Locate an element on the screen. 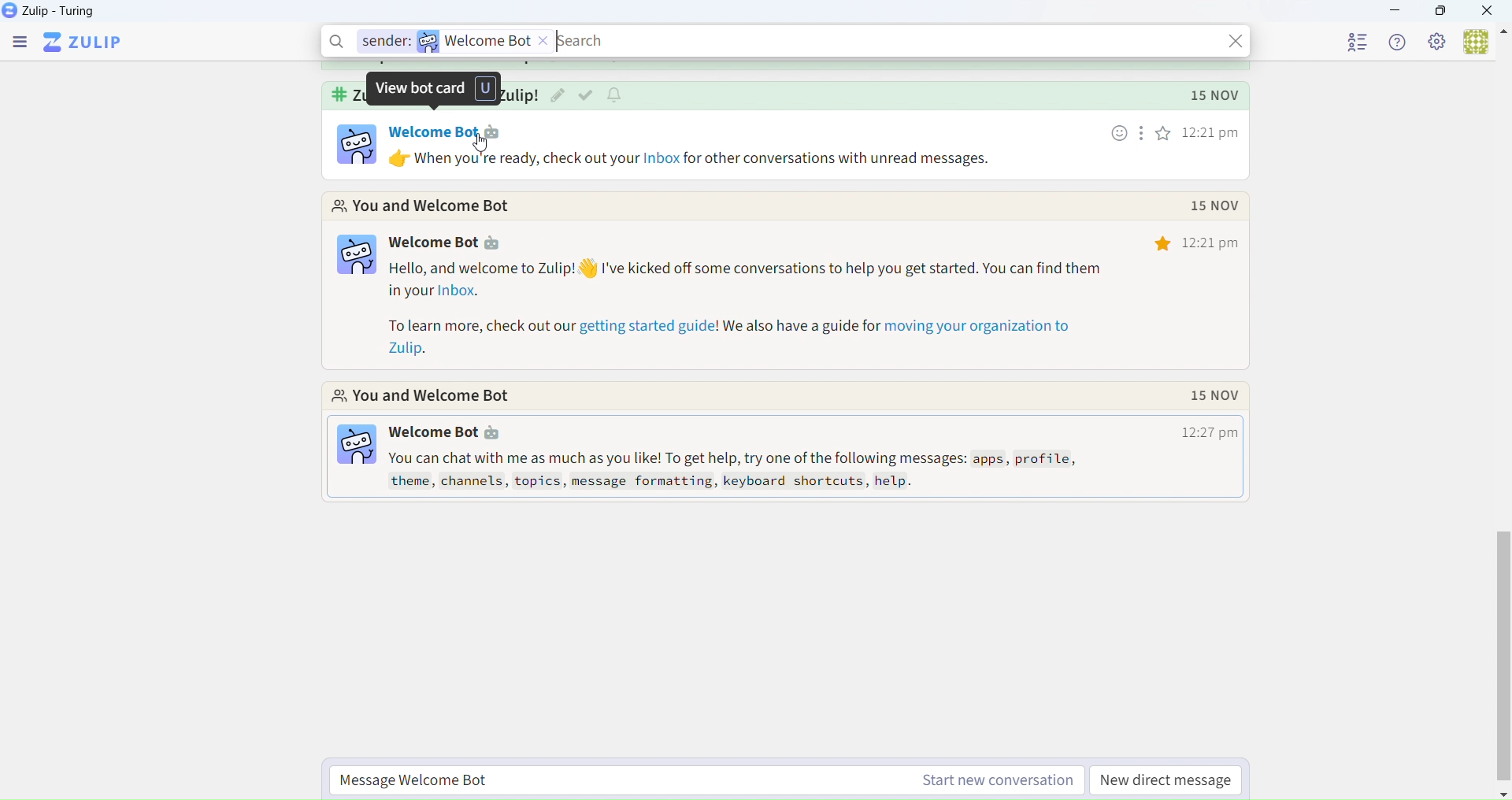 The width and height of the screenshot is (1512, 800). Message Welcome Bot is located at coordinates (702, 777).